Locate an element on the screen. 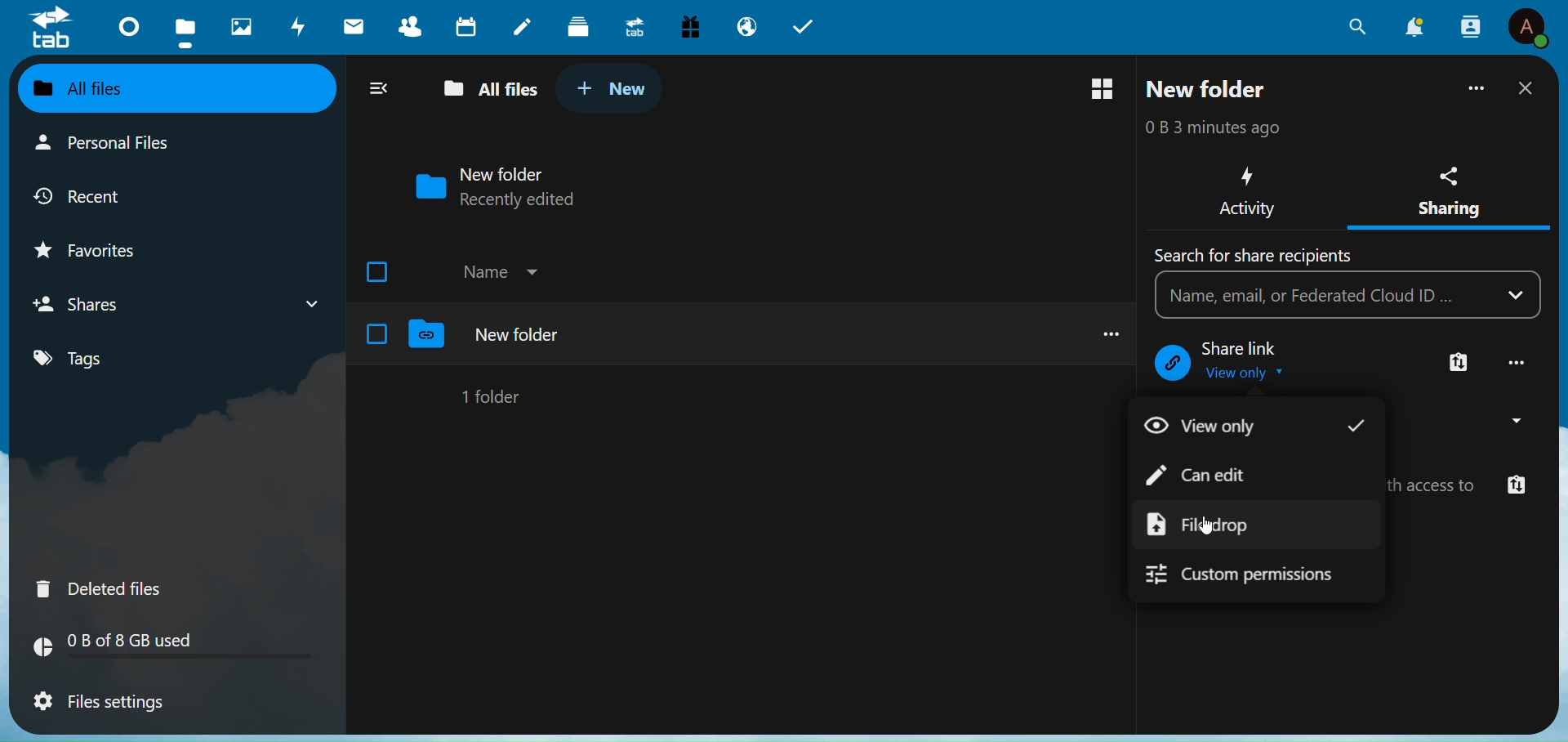 This screenshot has width=1568, height=742. Drop Down is located at coordinates (534, 269).